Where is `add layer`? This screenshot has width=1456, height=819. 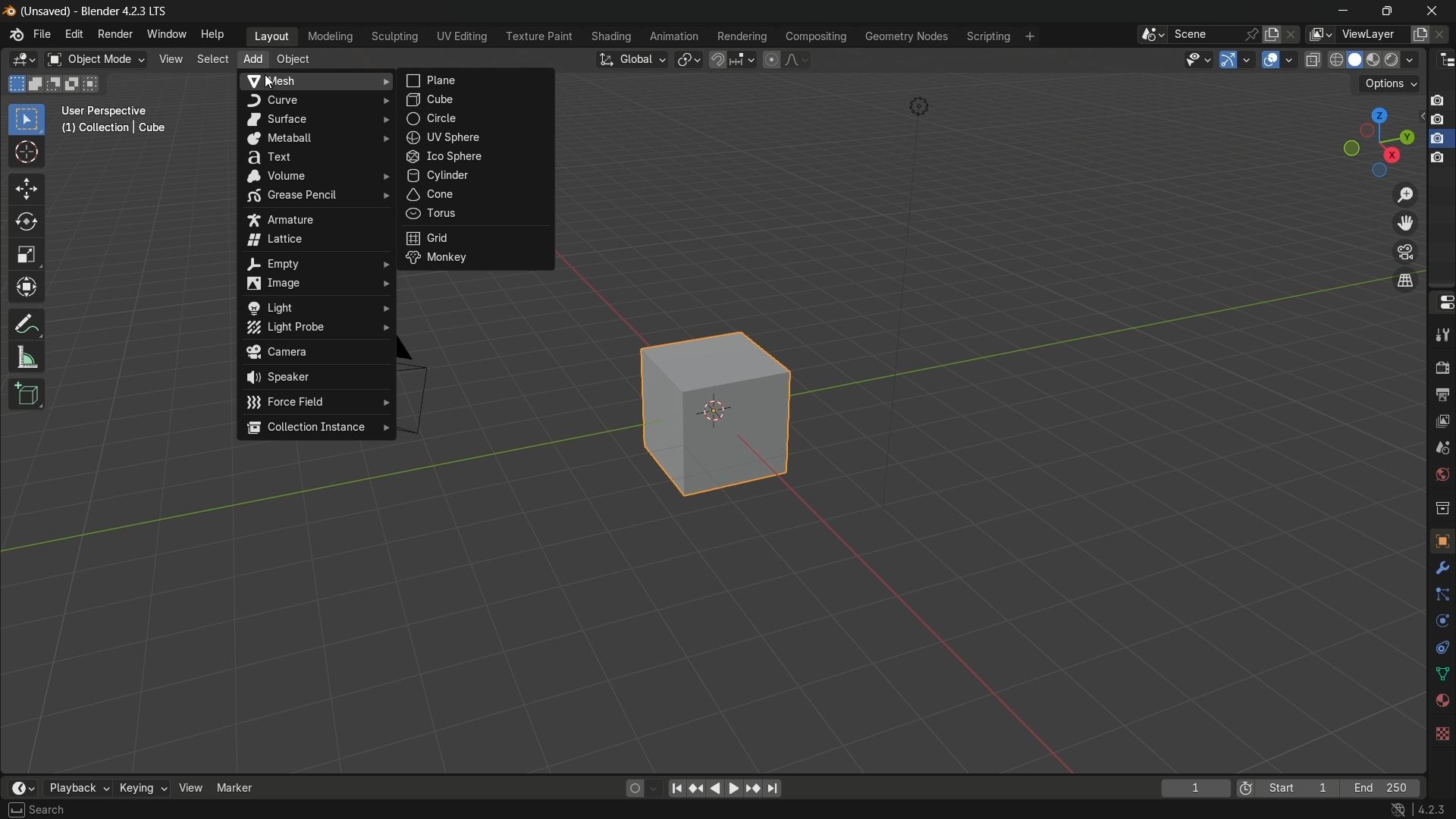 add layer is located at coordinates (1420, 35).